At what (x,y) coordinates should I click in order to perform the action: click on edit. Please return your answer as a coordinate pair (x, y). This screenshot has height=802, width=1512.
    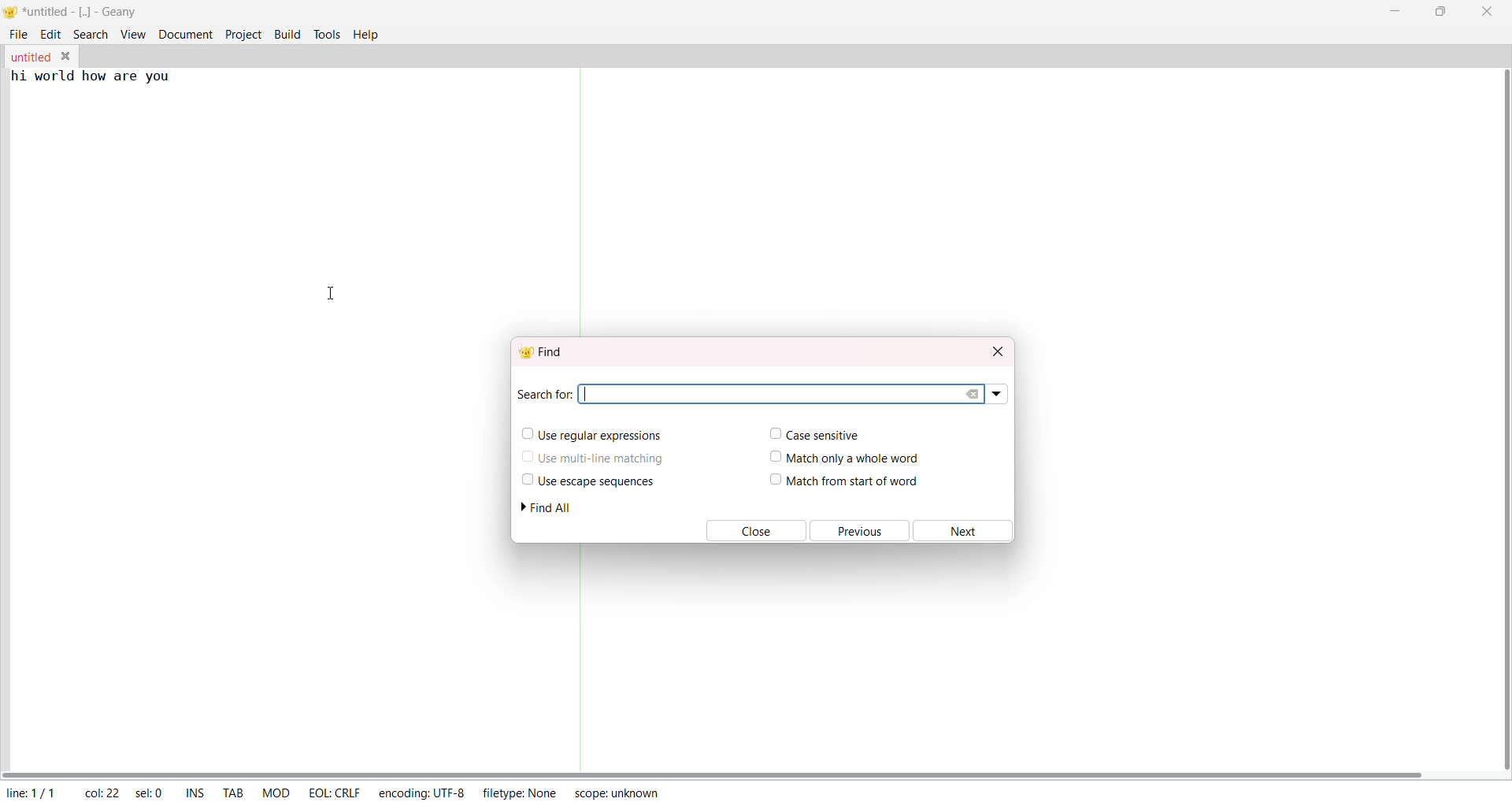
    Looking at the image, I should click on (47, 33).